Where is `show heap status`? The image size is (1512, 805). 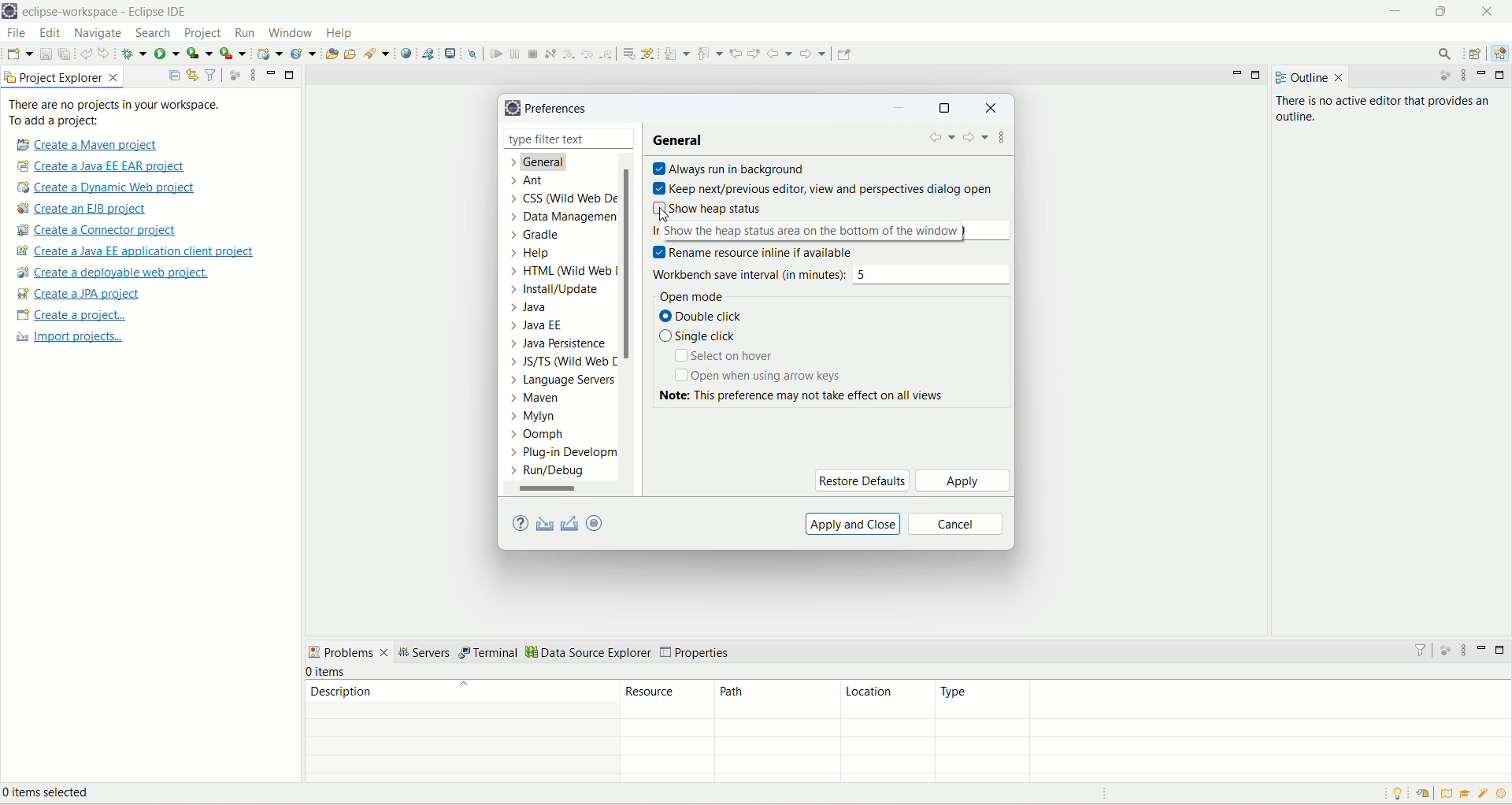 show heap status is located at coordinates (711, 207).